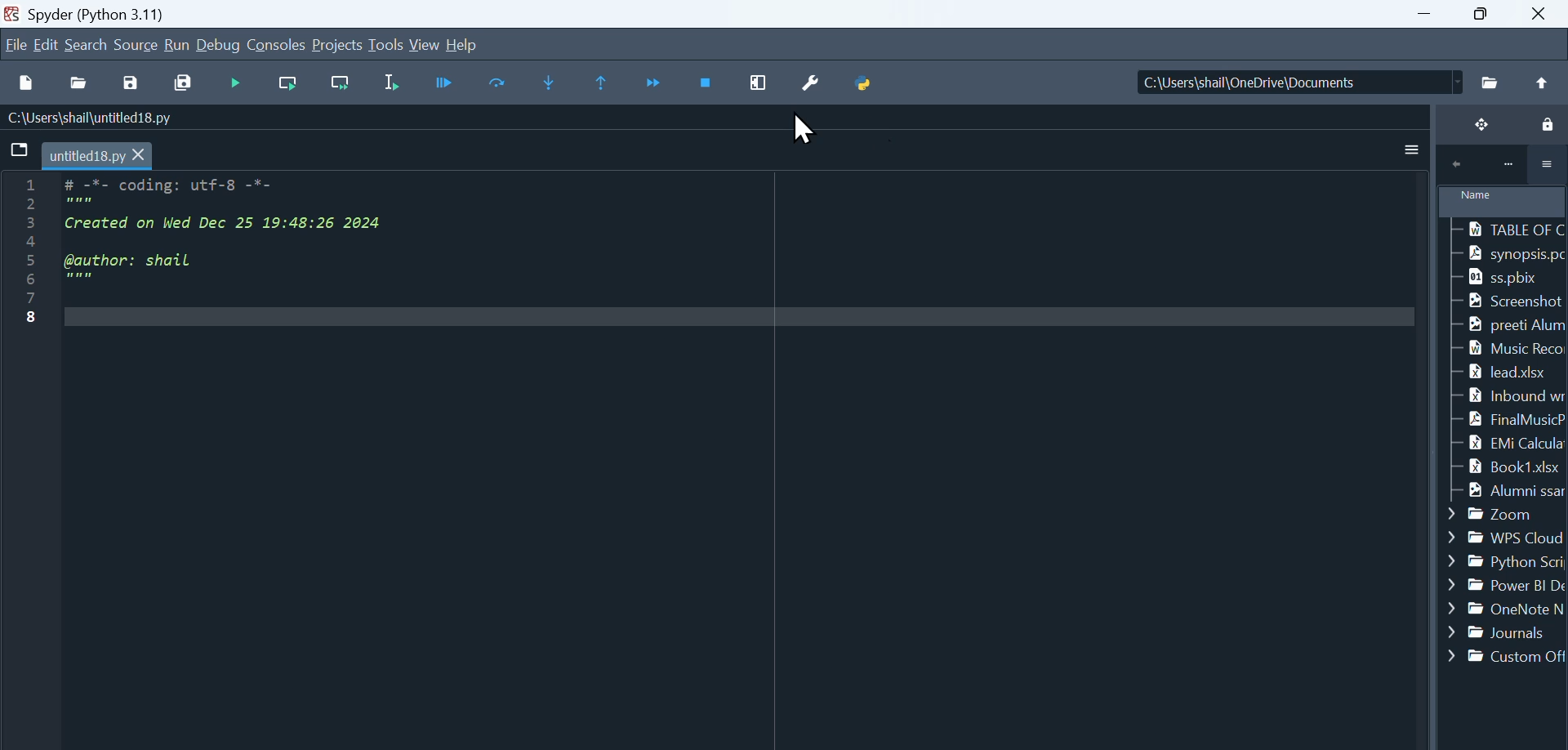 This screenshot has width=1568, height=750. What do you see at coordinates (760, 83) in the screenshot?
I see `Maximise current window` at bounding box center [760, 83].